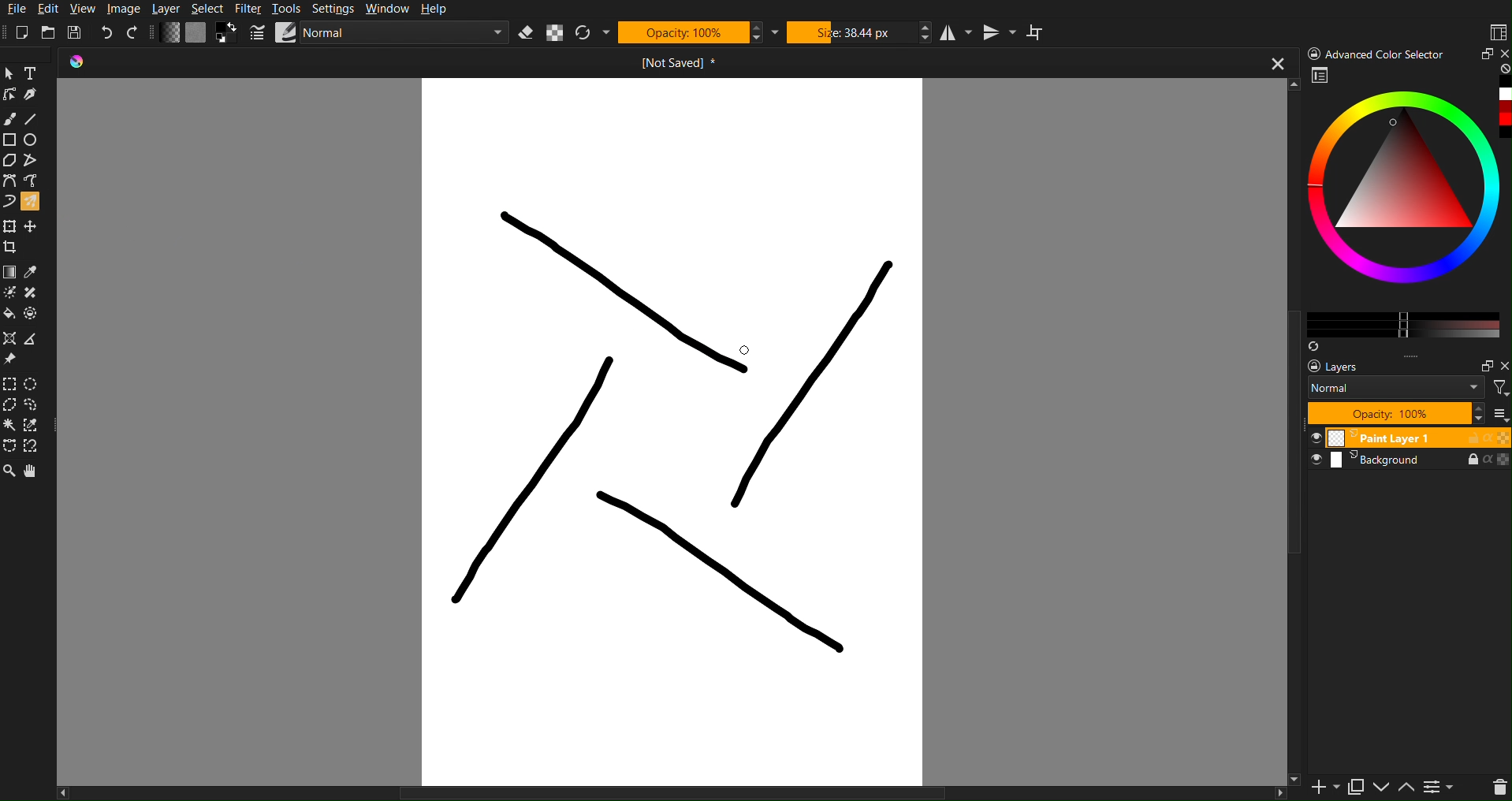 This screenshot has height=801, width=1512. I want to click on Texture, so click(196, 33).